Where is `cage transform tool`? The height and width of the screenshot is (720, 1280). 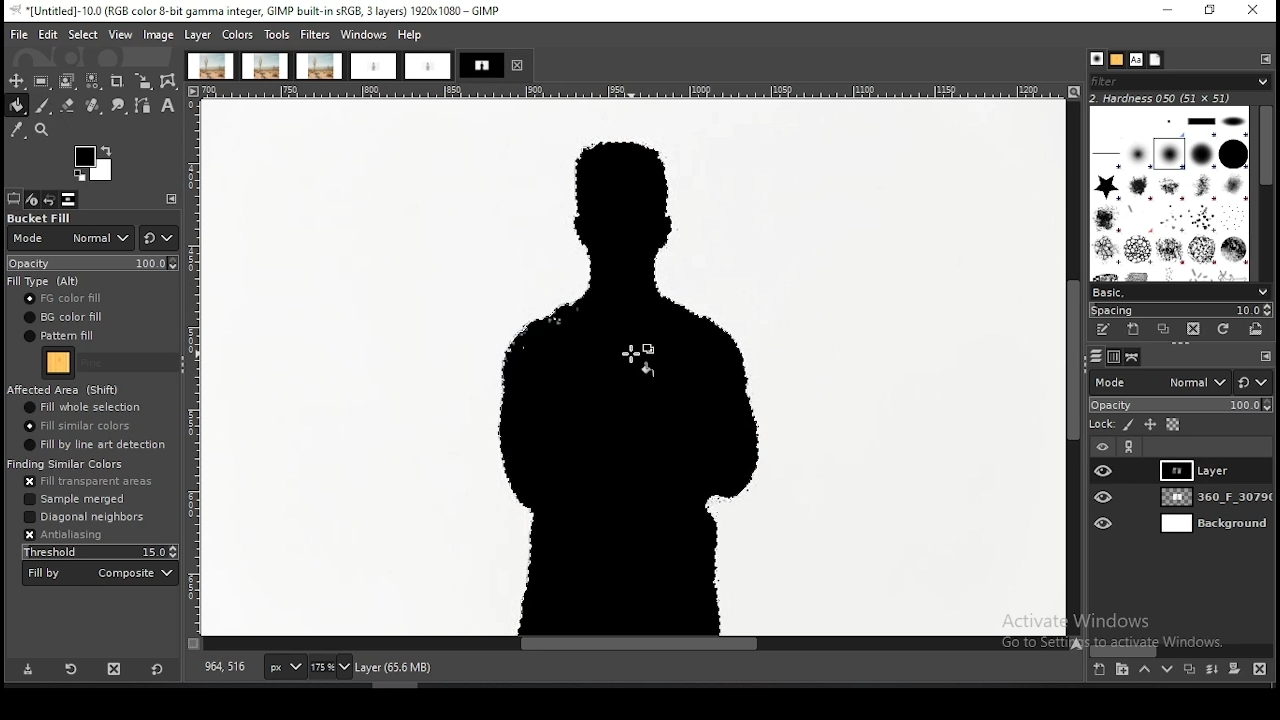 cage transform tool is located at coordinates (170, 81).